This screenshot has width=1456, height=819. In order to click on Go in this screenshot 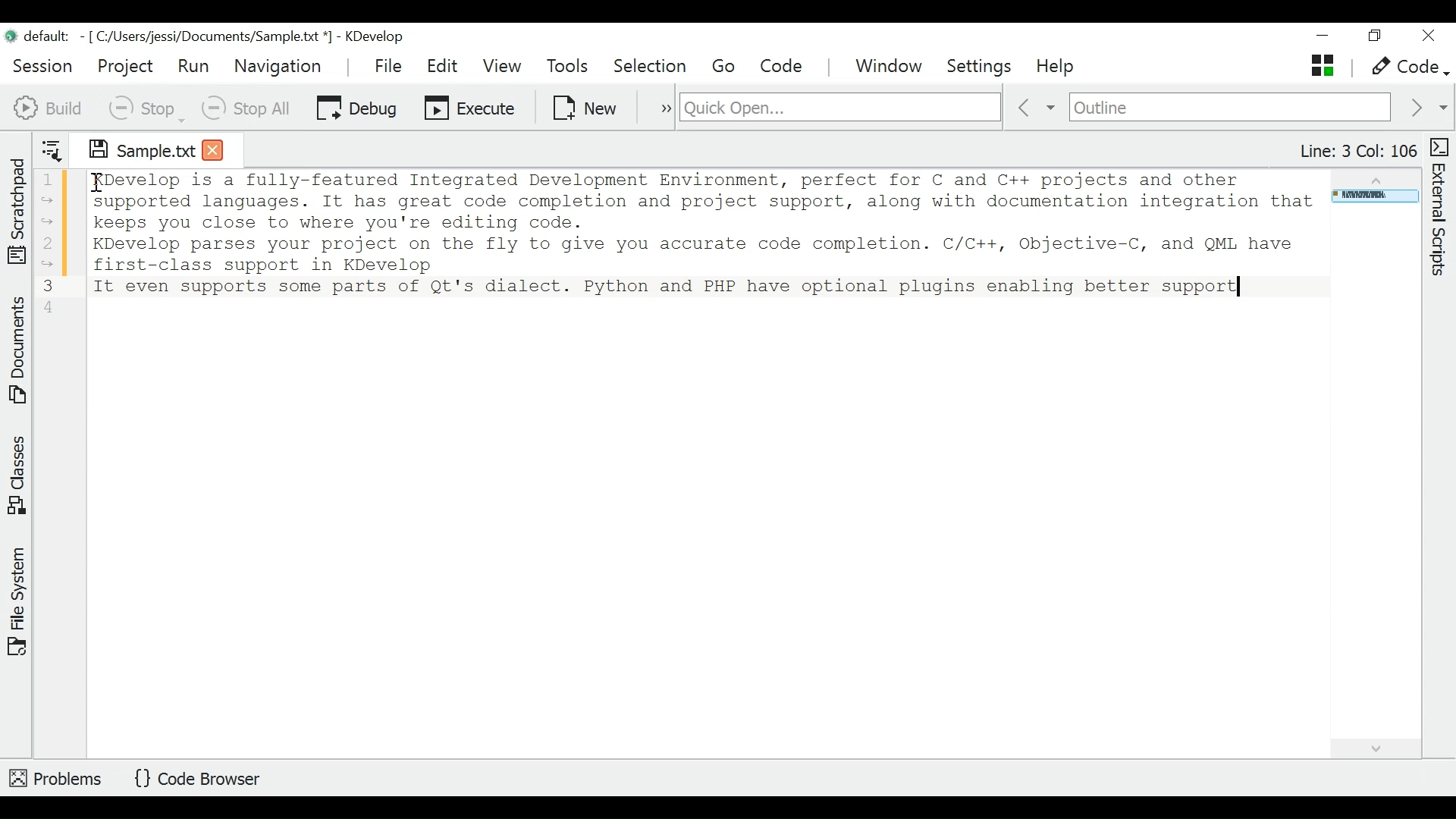, I will do `click(726, 67)`.